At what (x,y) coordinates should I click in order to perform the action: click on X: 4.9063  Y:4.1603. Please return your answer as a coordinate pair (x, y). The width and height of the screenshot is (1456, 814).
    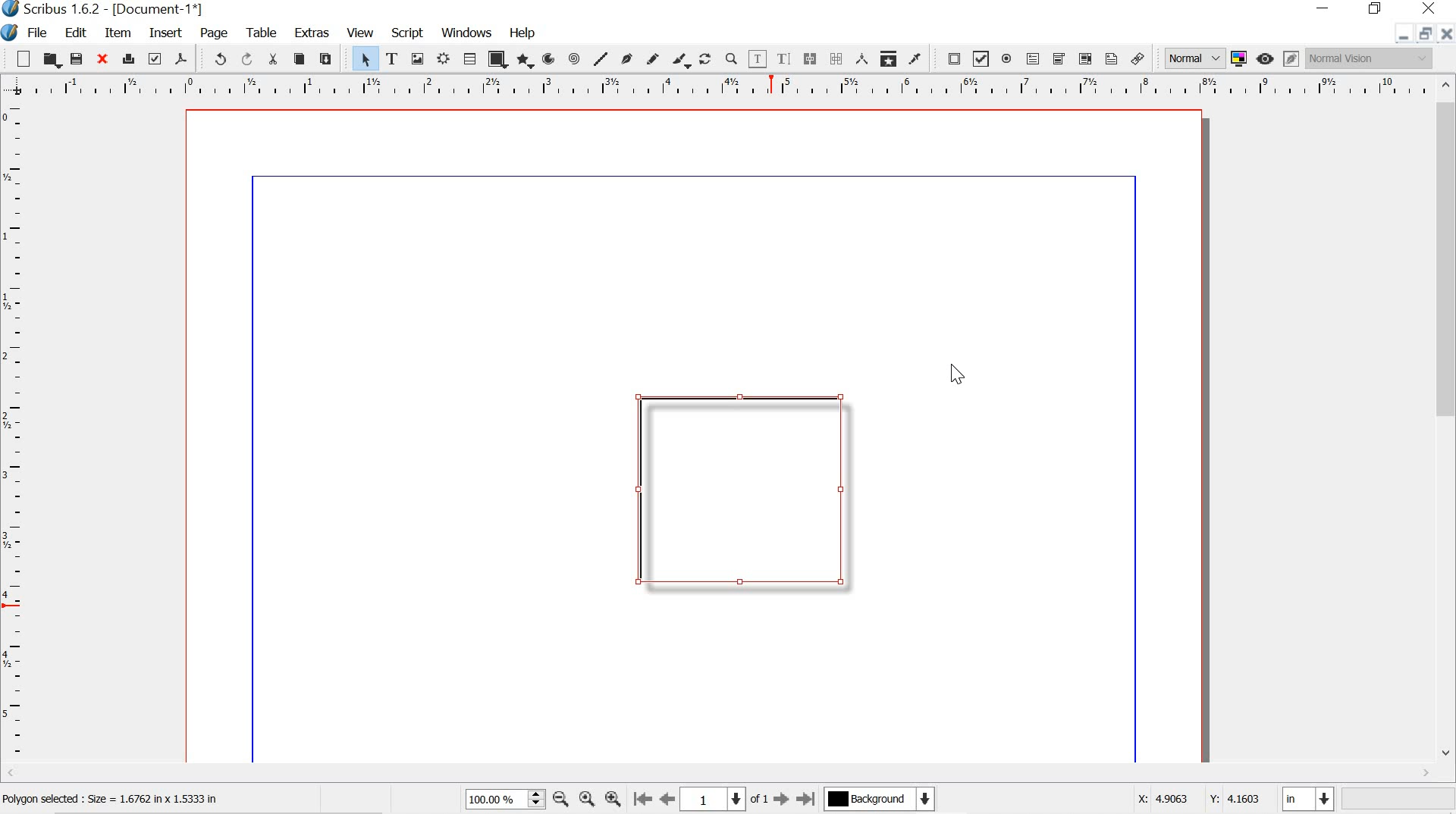
    Looking at the image, I should click on (1197, 800).